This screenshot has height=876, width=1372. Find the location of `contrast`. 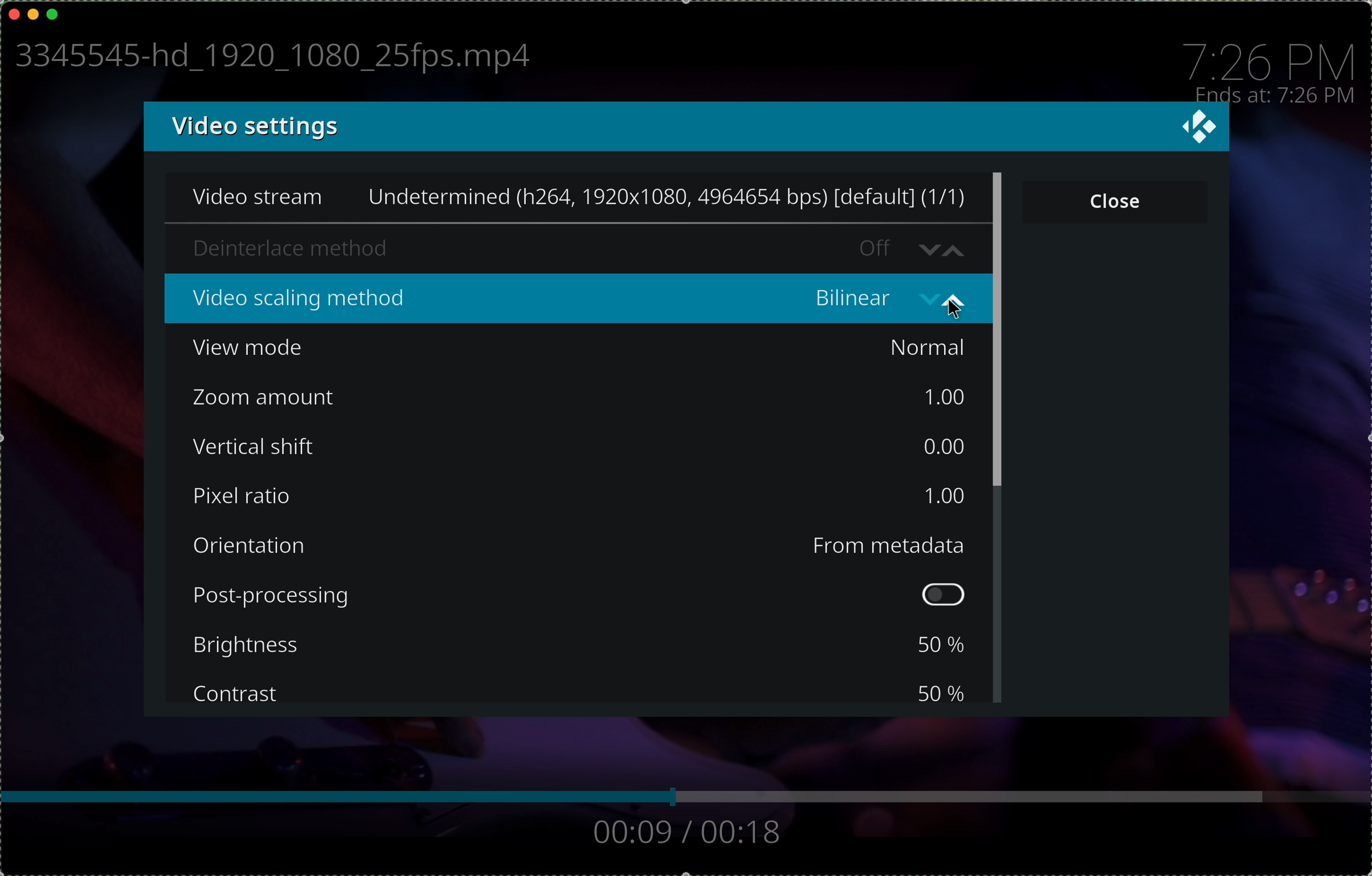

contrast is located at coordinates (238, 694).